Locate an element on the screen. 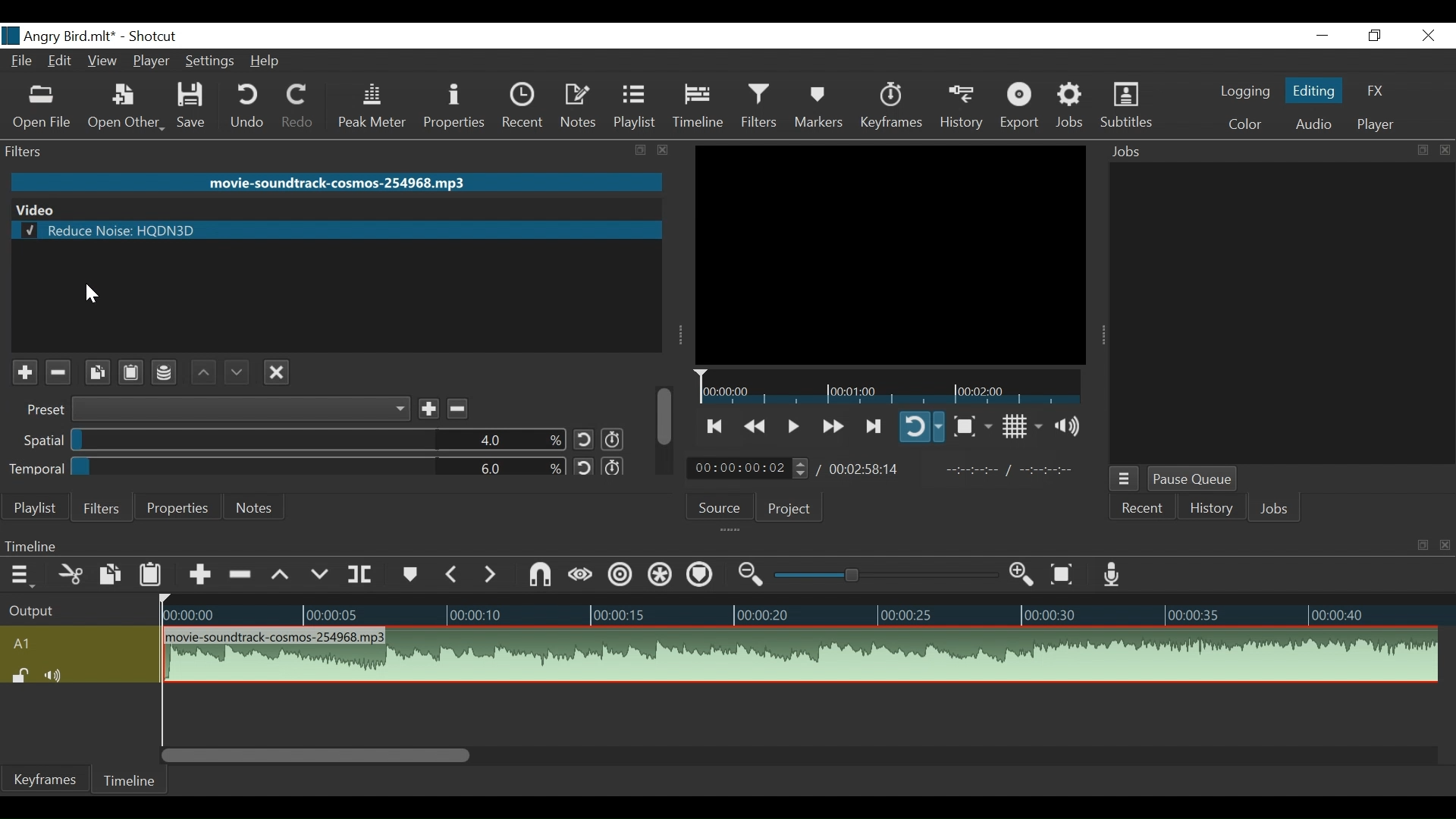 The image size is (1456, 819). Timeline menu is located at coordinates (19, 574).